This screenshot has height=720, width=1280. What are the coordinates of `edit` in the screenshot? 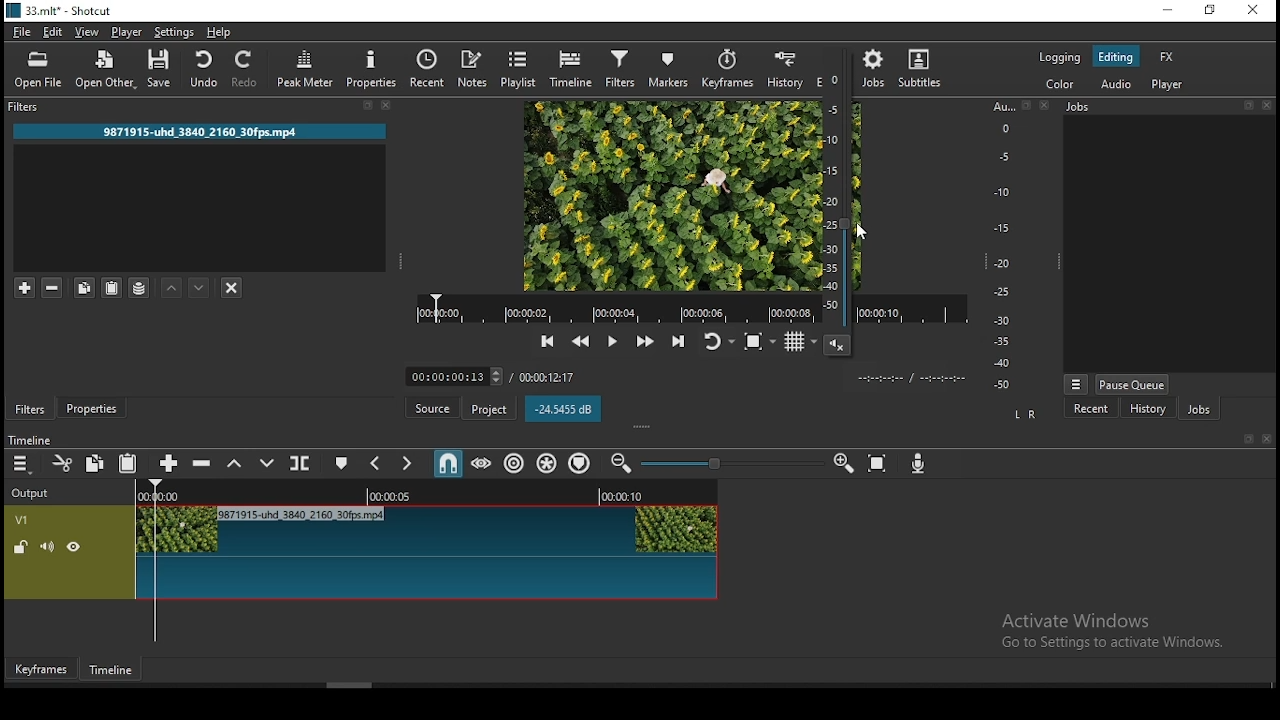 It's located at (56, 31).